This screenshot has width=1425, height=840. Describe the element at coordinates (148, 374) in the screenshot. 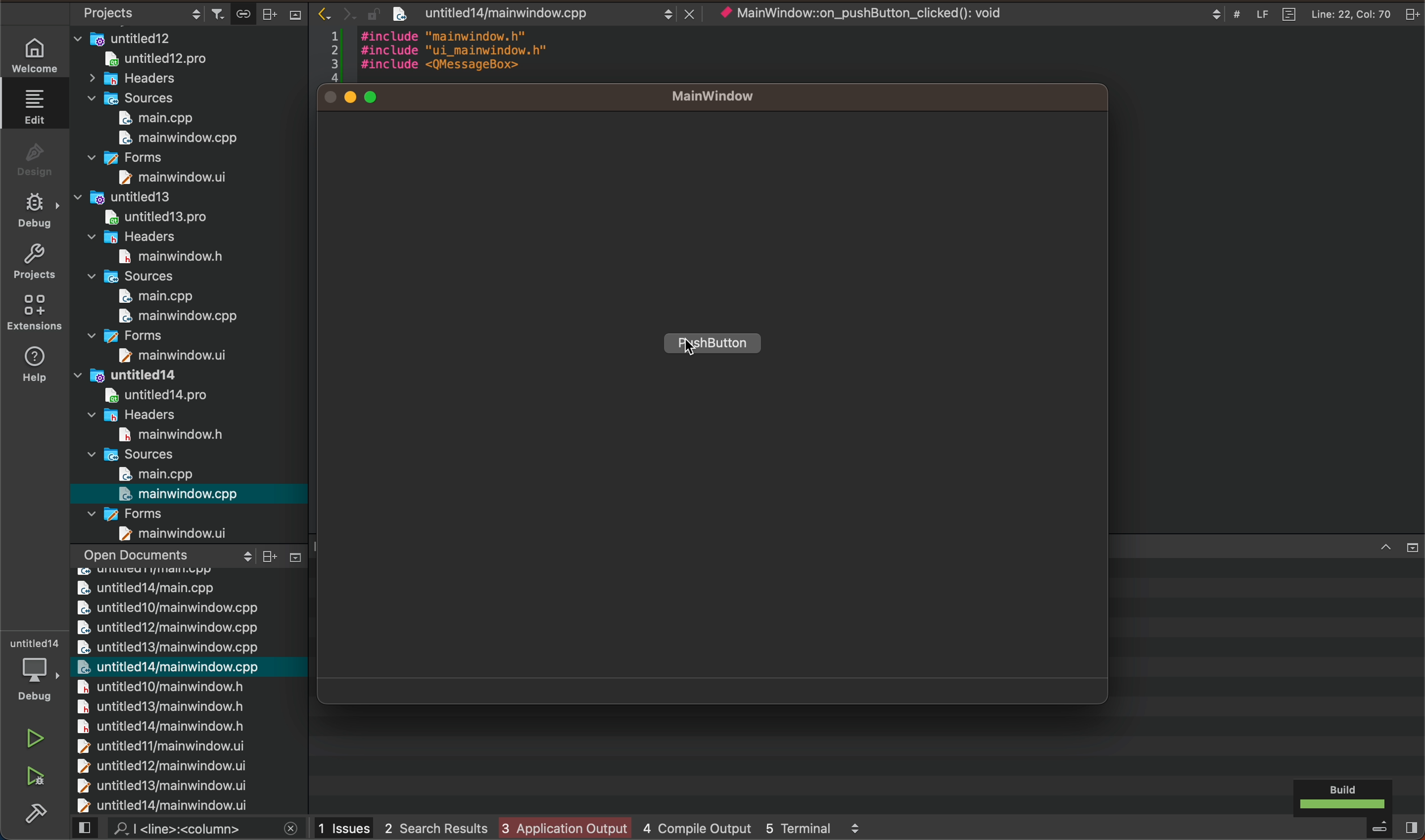

I see `untitled14` at that location.